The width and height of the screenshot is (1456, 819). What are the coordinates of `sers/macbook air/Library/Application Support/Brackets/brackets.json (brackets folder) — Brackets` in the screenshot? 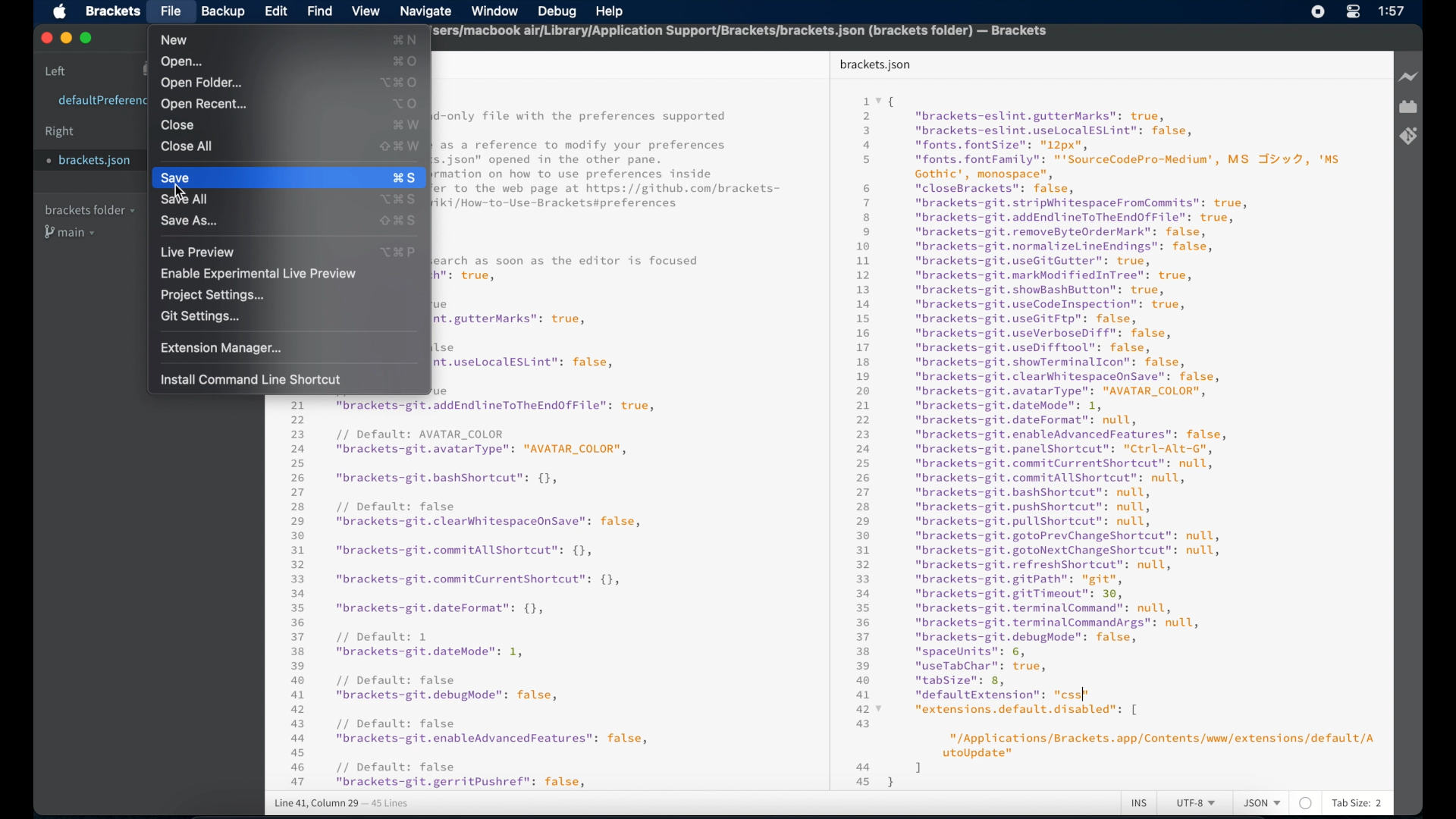 It's located at (742, 31).